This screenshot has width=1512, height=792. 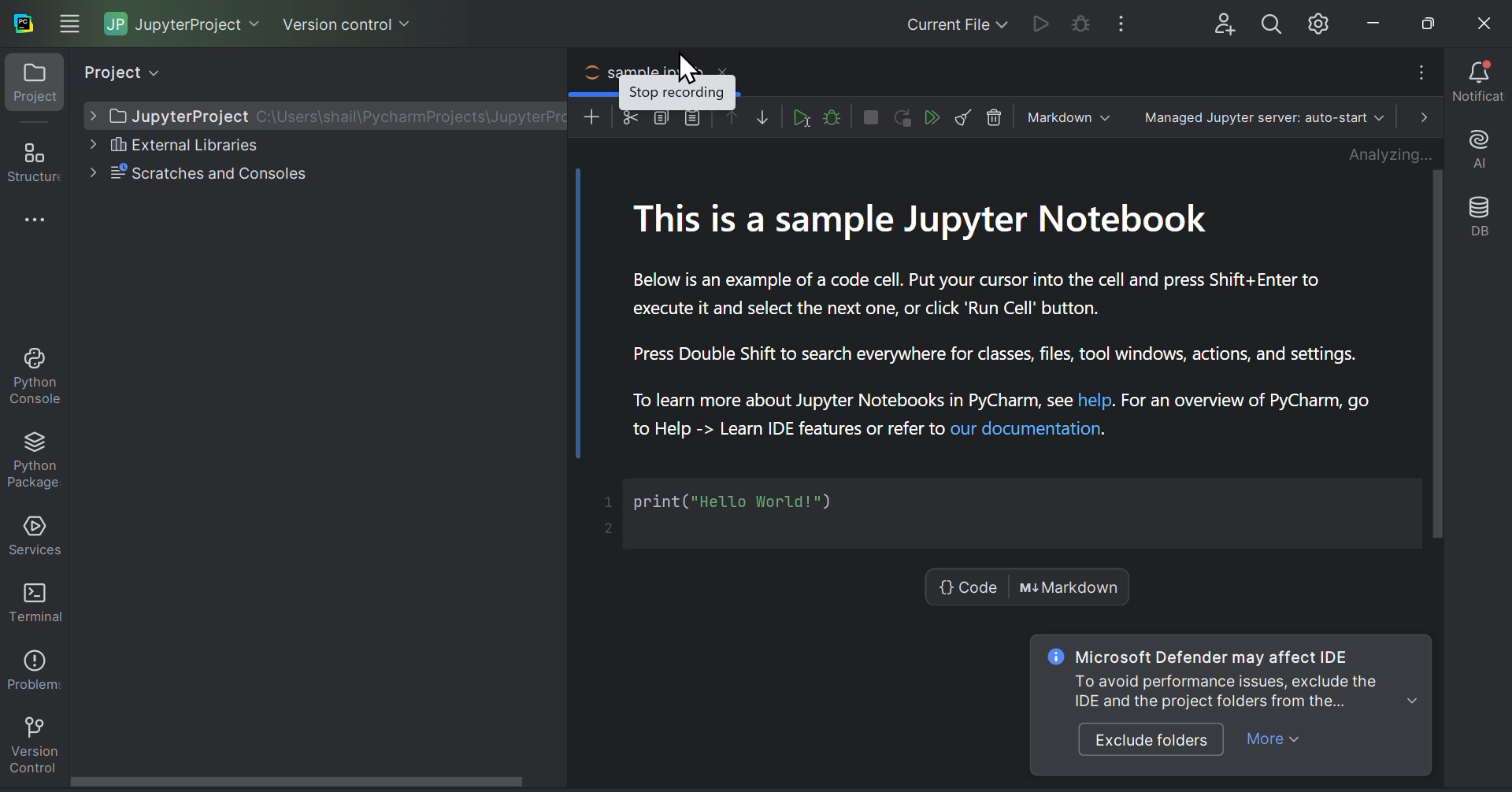 I want to click on run cell & select below, so click(x=799, y=117).